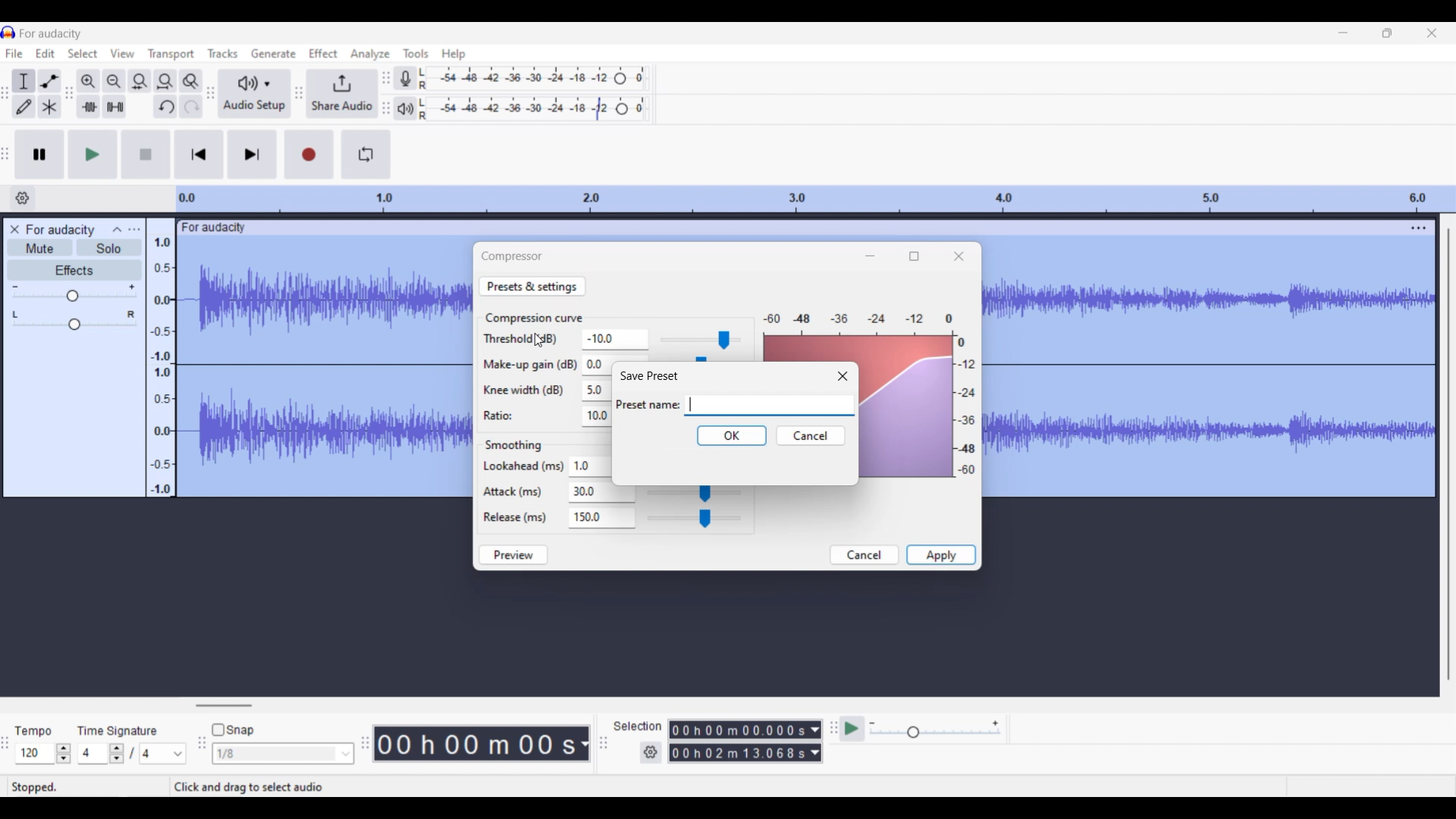 This screenshot has height=819, width=1456. I want to click on Close track, so click(14, 229).